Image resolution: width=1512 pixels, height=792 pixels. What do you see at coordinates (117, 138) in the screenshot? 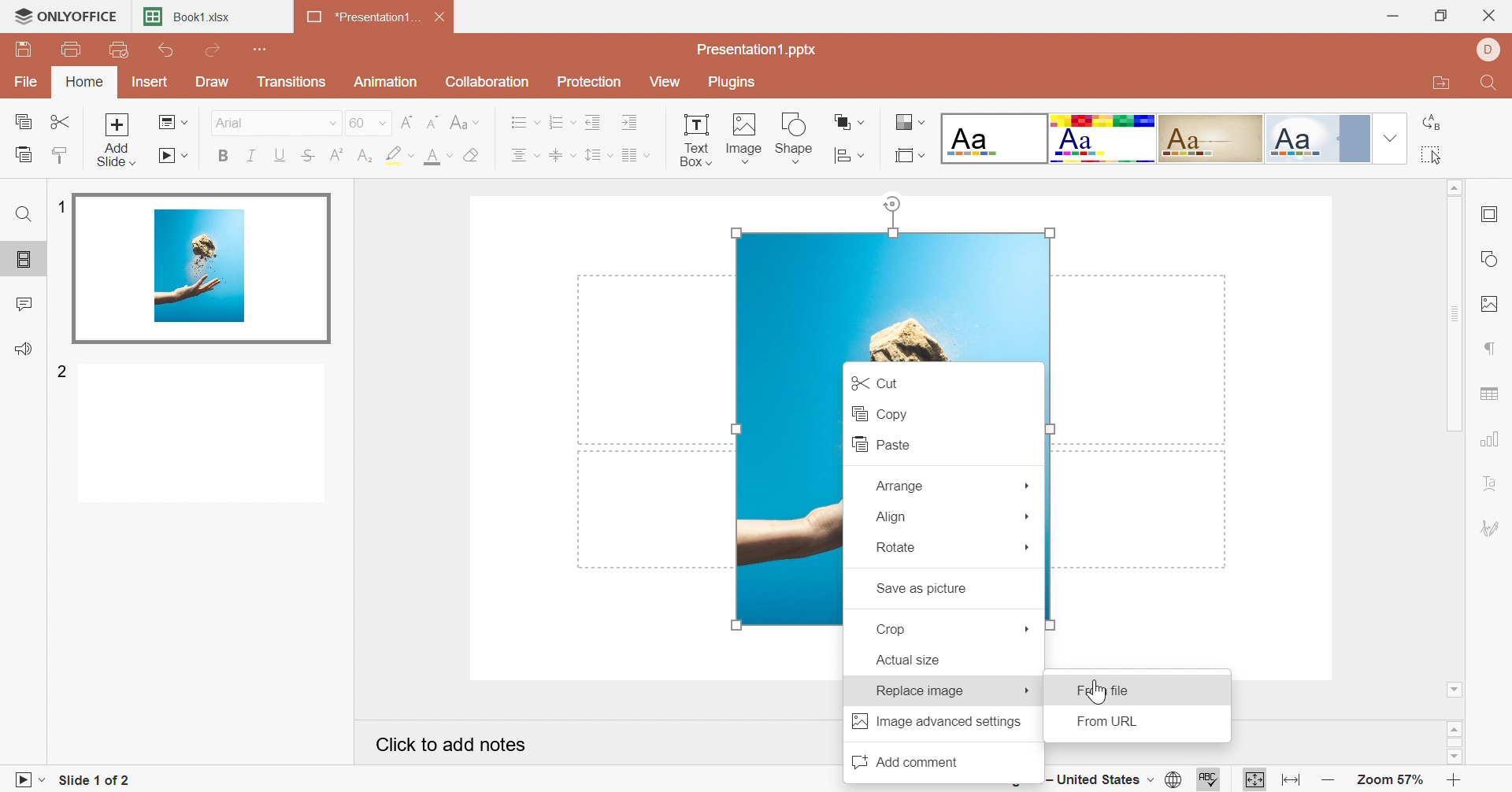
I see `Add slide` at bounding box center [117, 138].